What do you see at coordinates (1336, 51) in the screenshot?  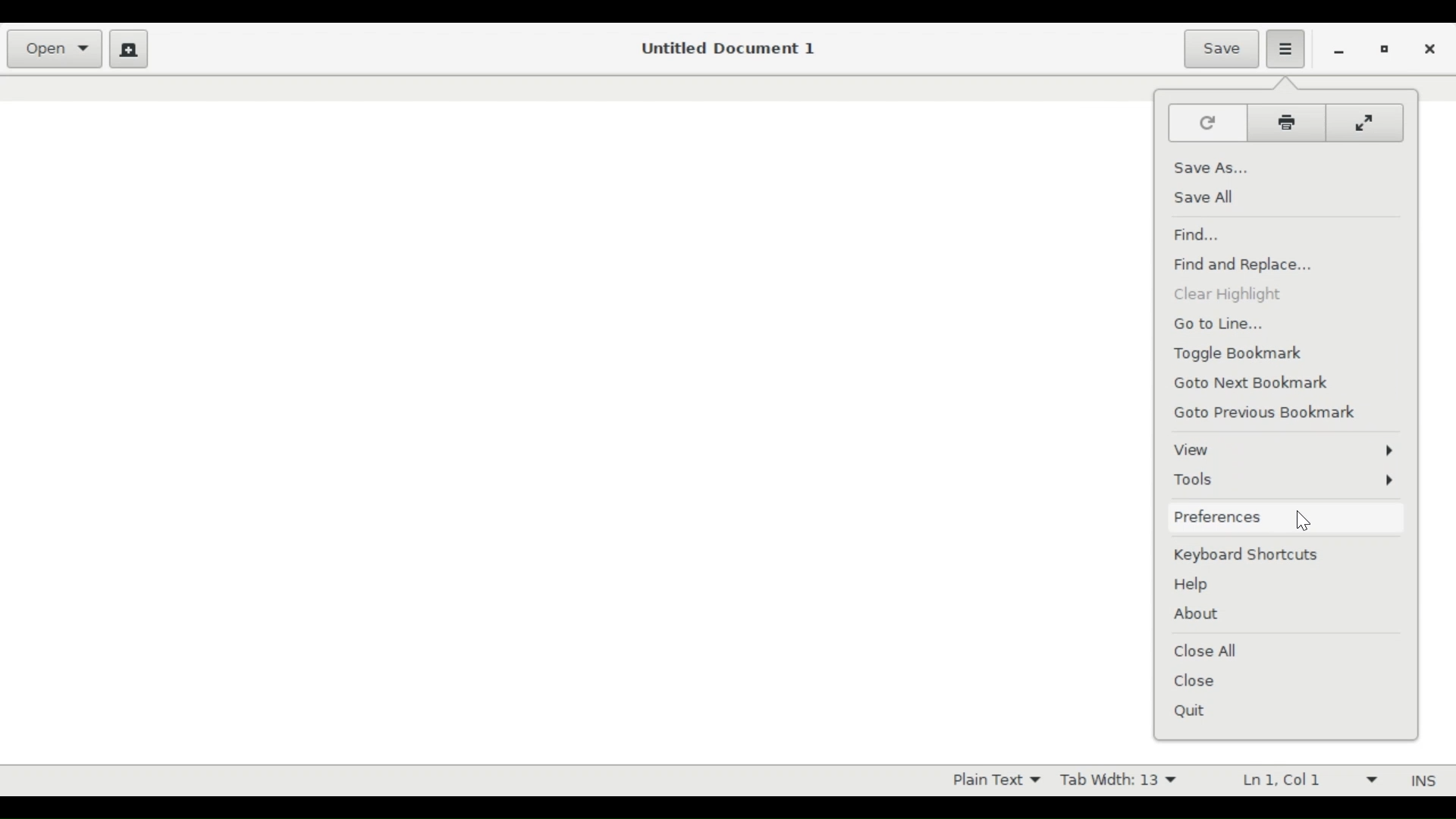 I see `minimize` at bounding box center [1336, 51].